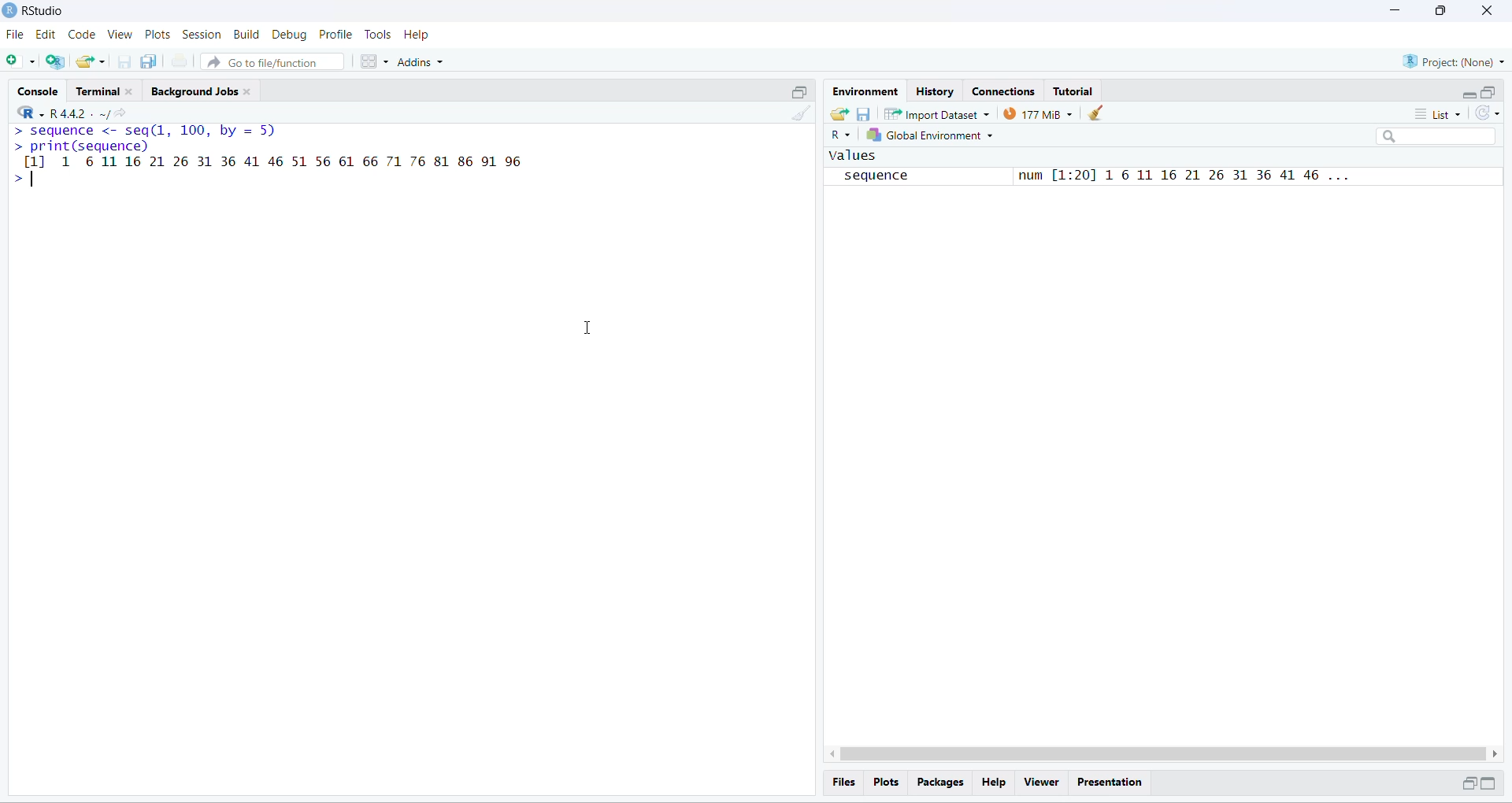  I want to click on scroll left, so click(829, 753).